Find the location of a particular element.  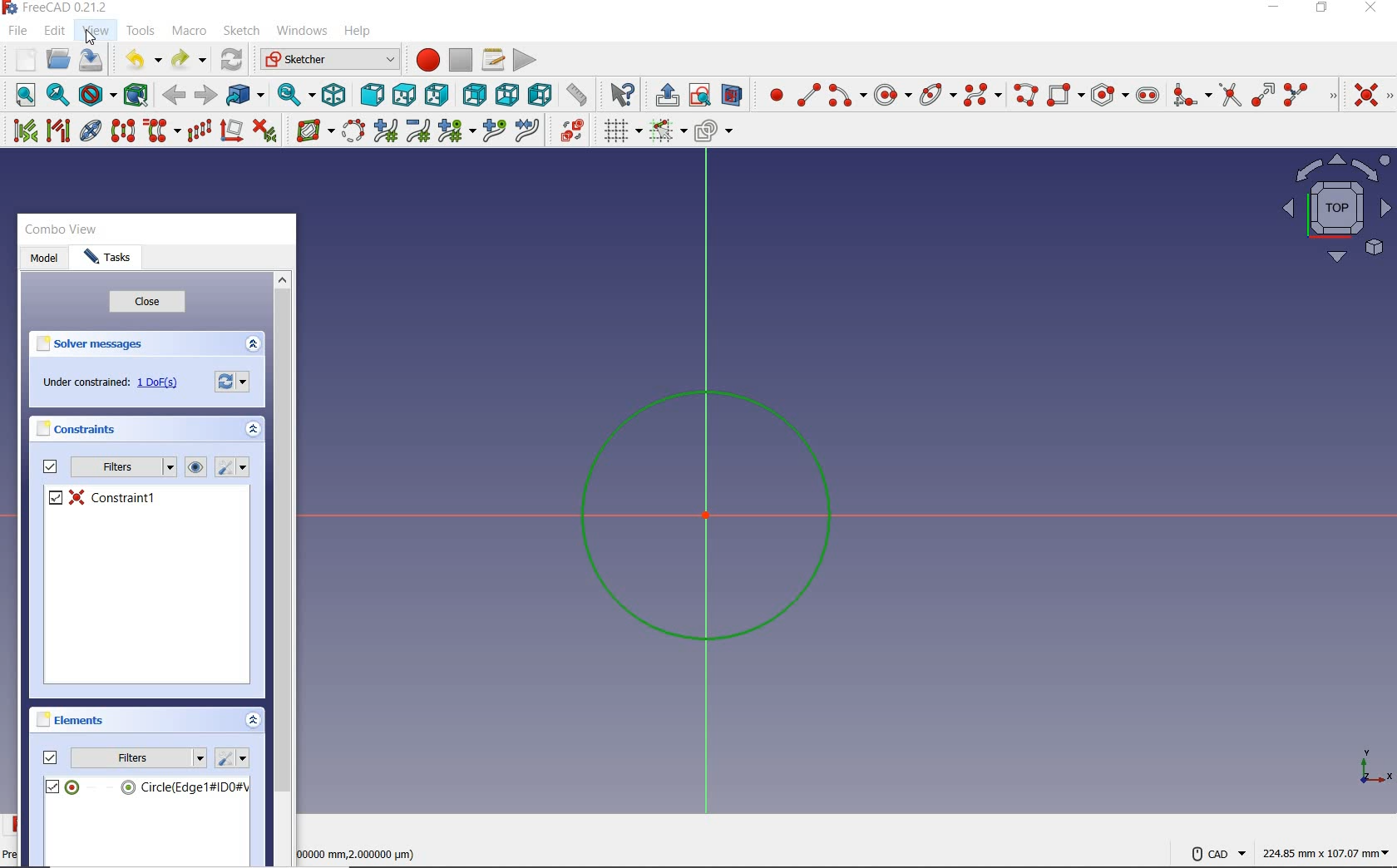

create point is located at coordinates (771, 94).